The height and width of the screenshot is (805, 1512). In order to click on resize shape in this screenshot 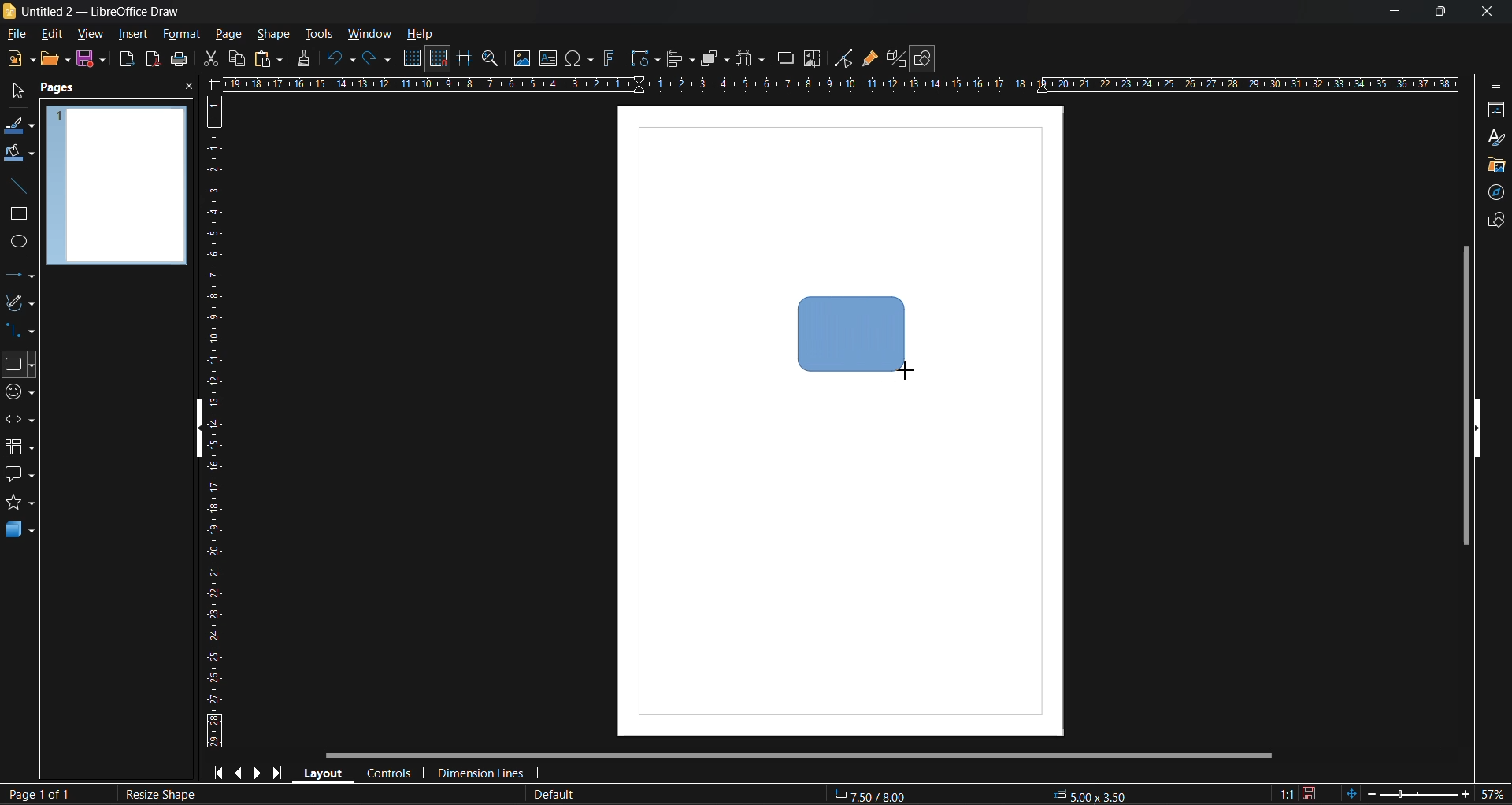, I will do `click(163, 795)`.